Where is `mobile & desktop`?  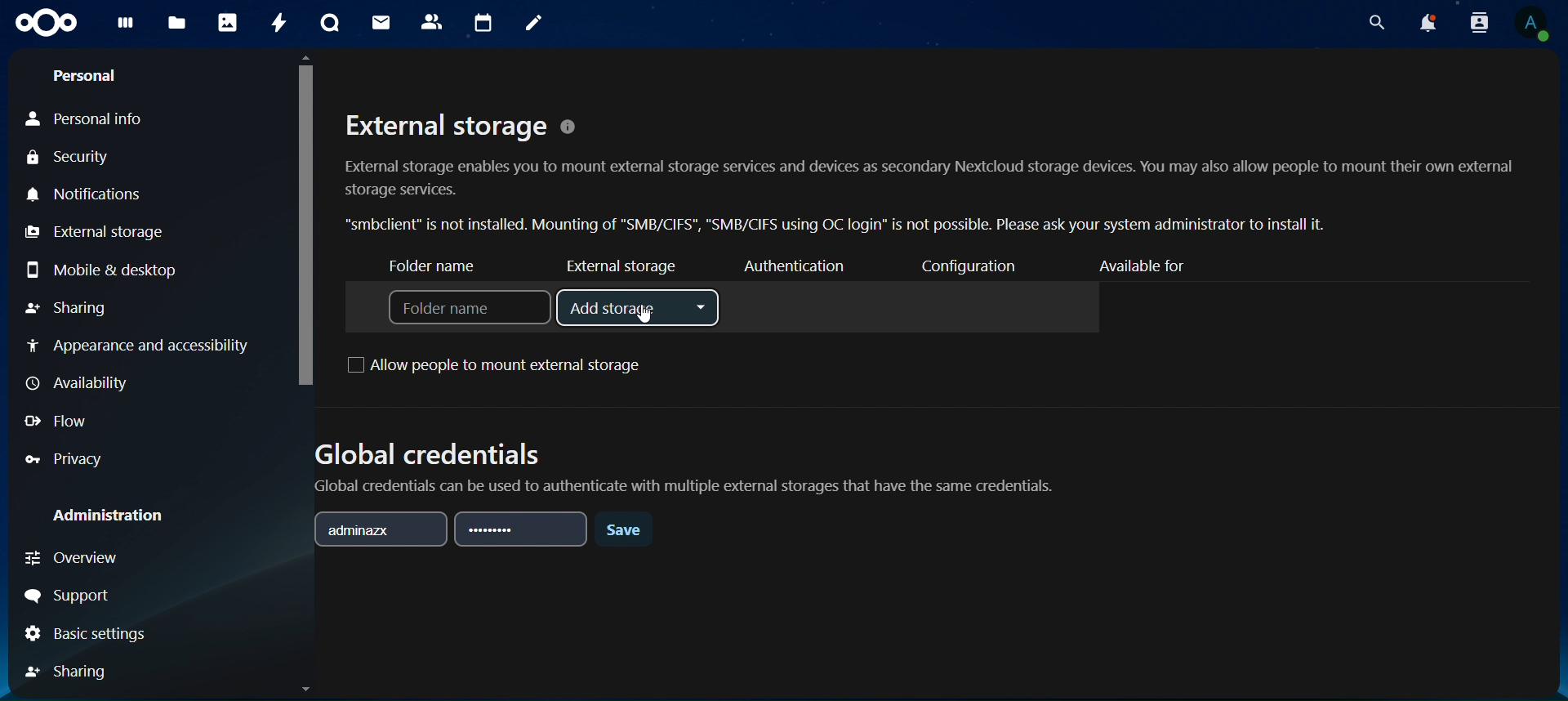 mobile & desktop is located at coordinates (101, 269).